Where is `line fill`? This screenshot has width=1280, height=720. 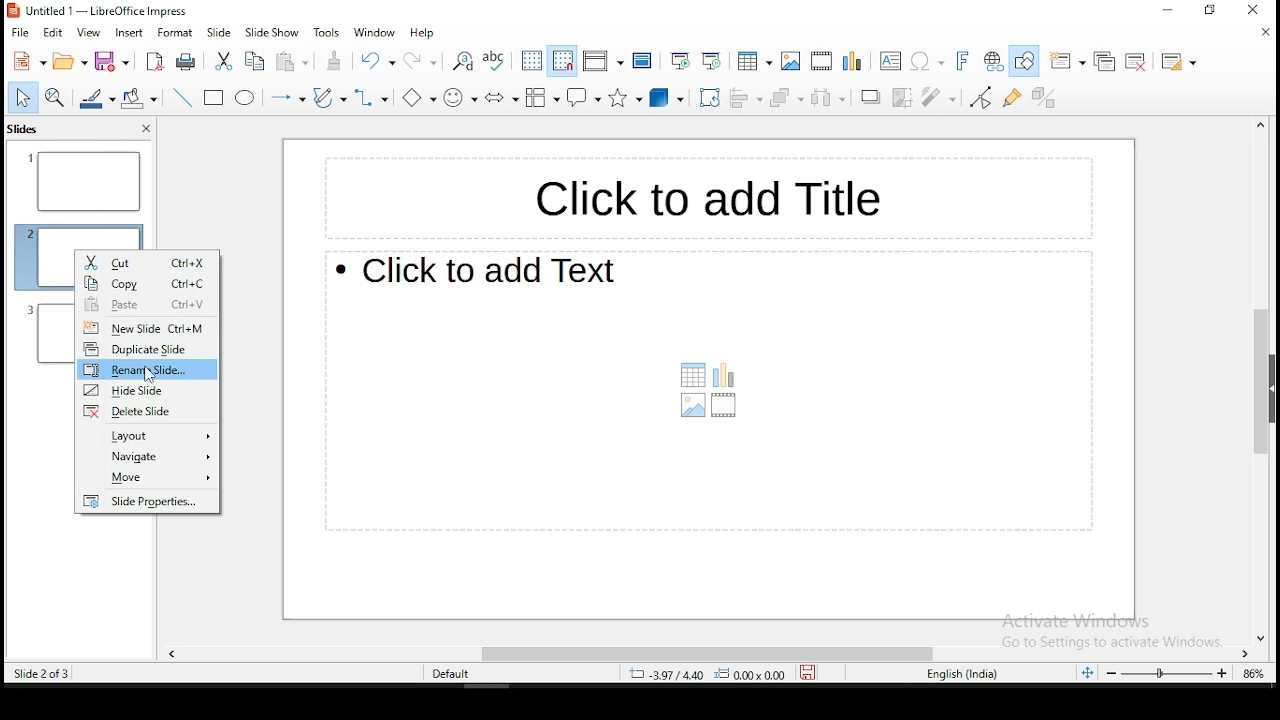
line fill is located at coordinates (95, 98).